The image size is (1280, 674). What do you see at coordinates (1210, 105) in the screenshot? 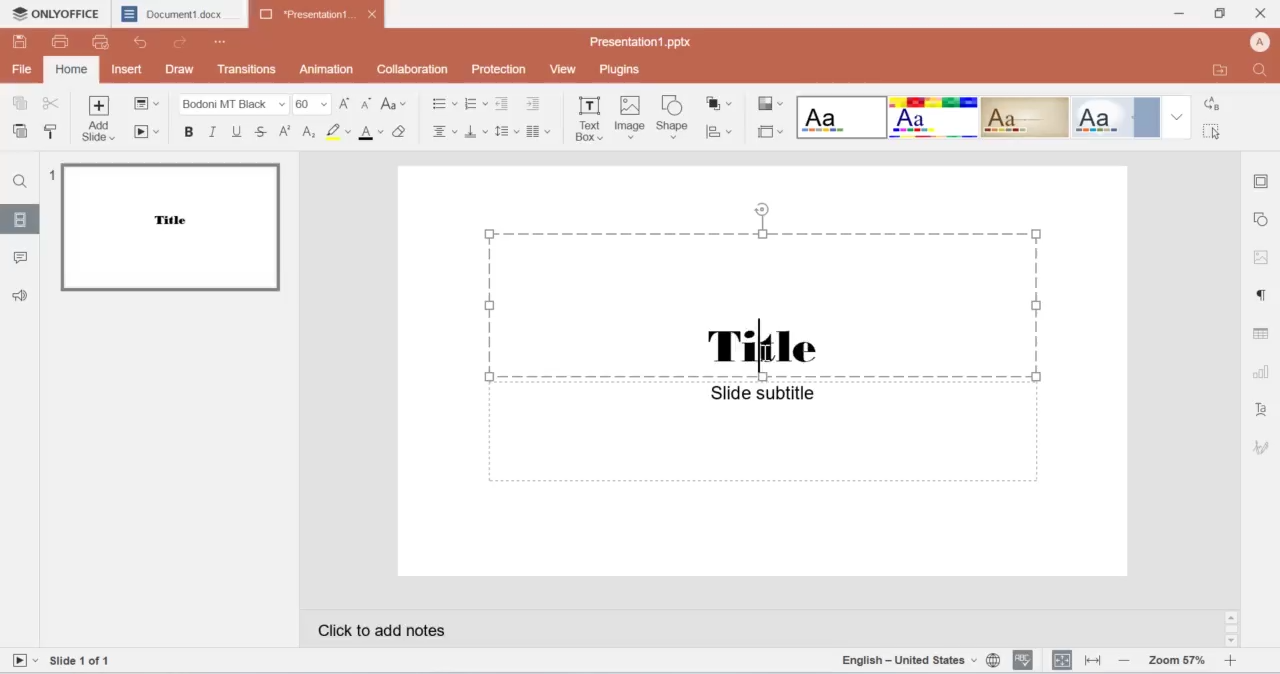
I see `a to b` at bounding box center [1210, 105].